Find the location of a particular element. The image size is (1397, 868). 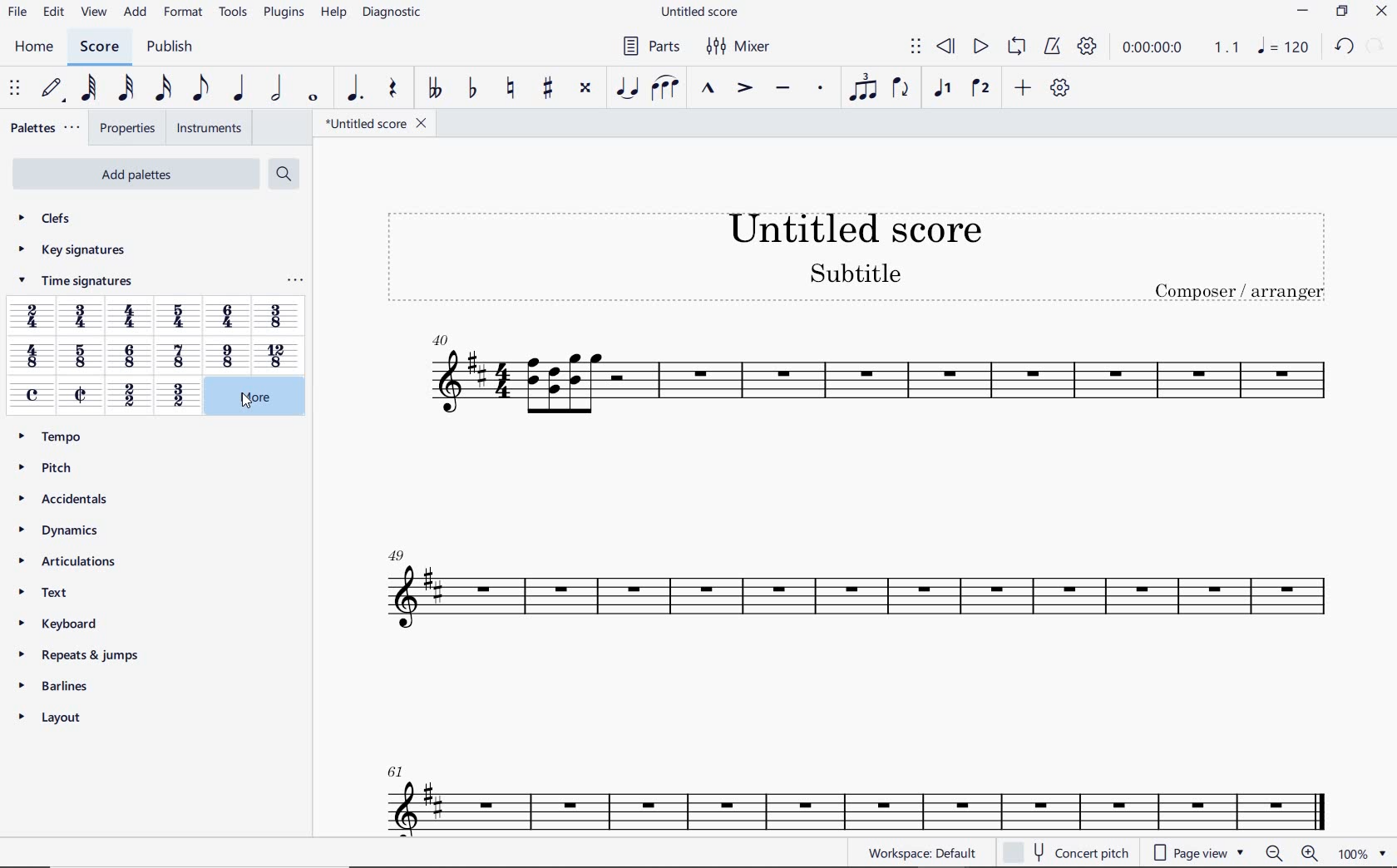

6/8 is located at coordinates (131, 357).